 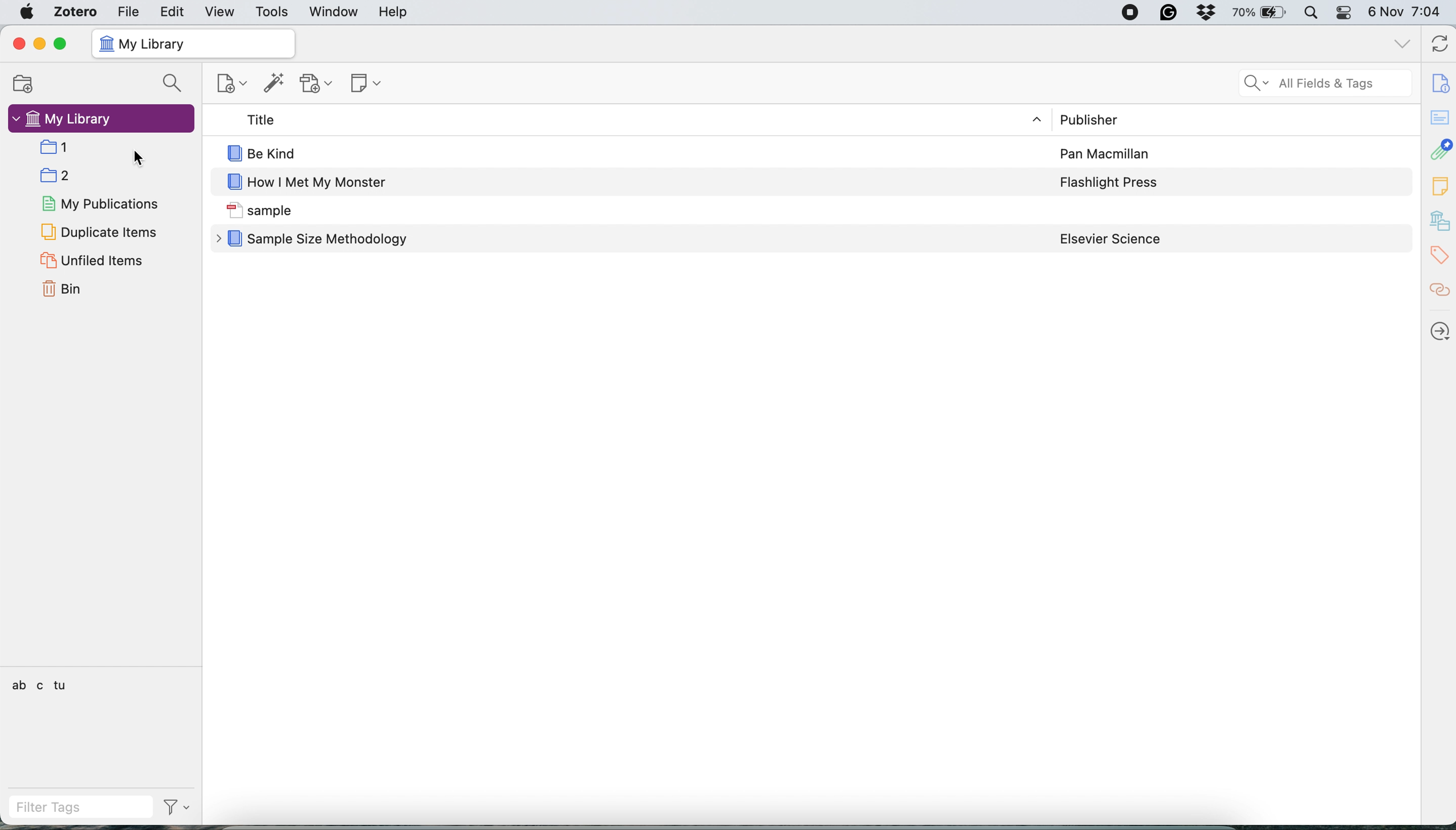 I want to click on Be Kind, so click(x=277, y=153).